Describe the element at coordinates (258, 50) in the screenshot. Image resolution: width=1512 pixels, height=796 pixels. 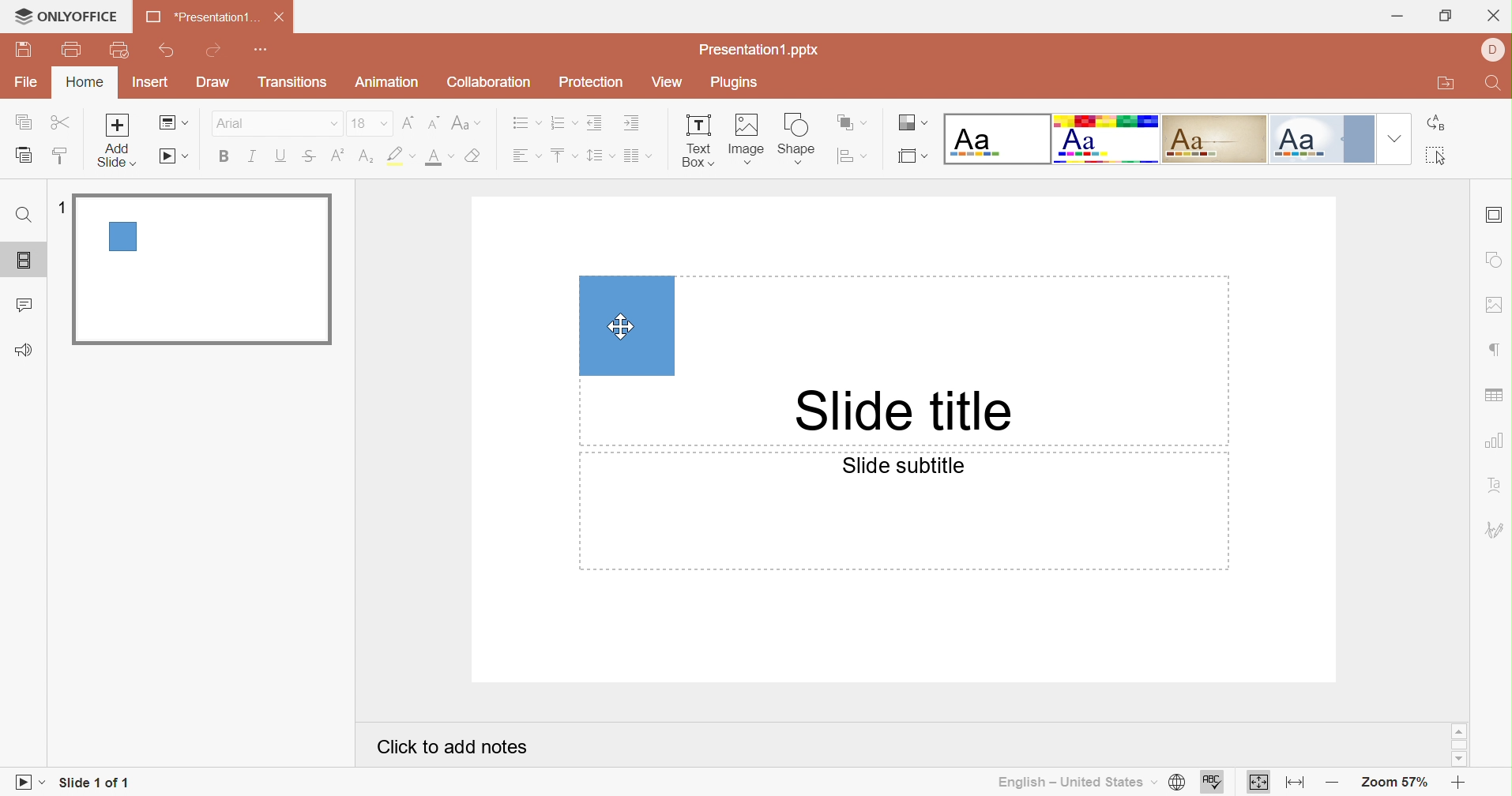
I see `Customize Quick Access Toolbar` at that location.